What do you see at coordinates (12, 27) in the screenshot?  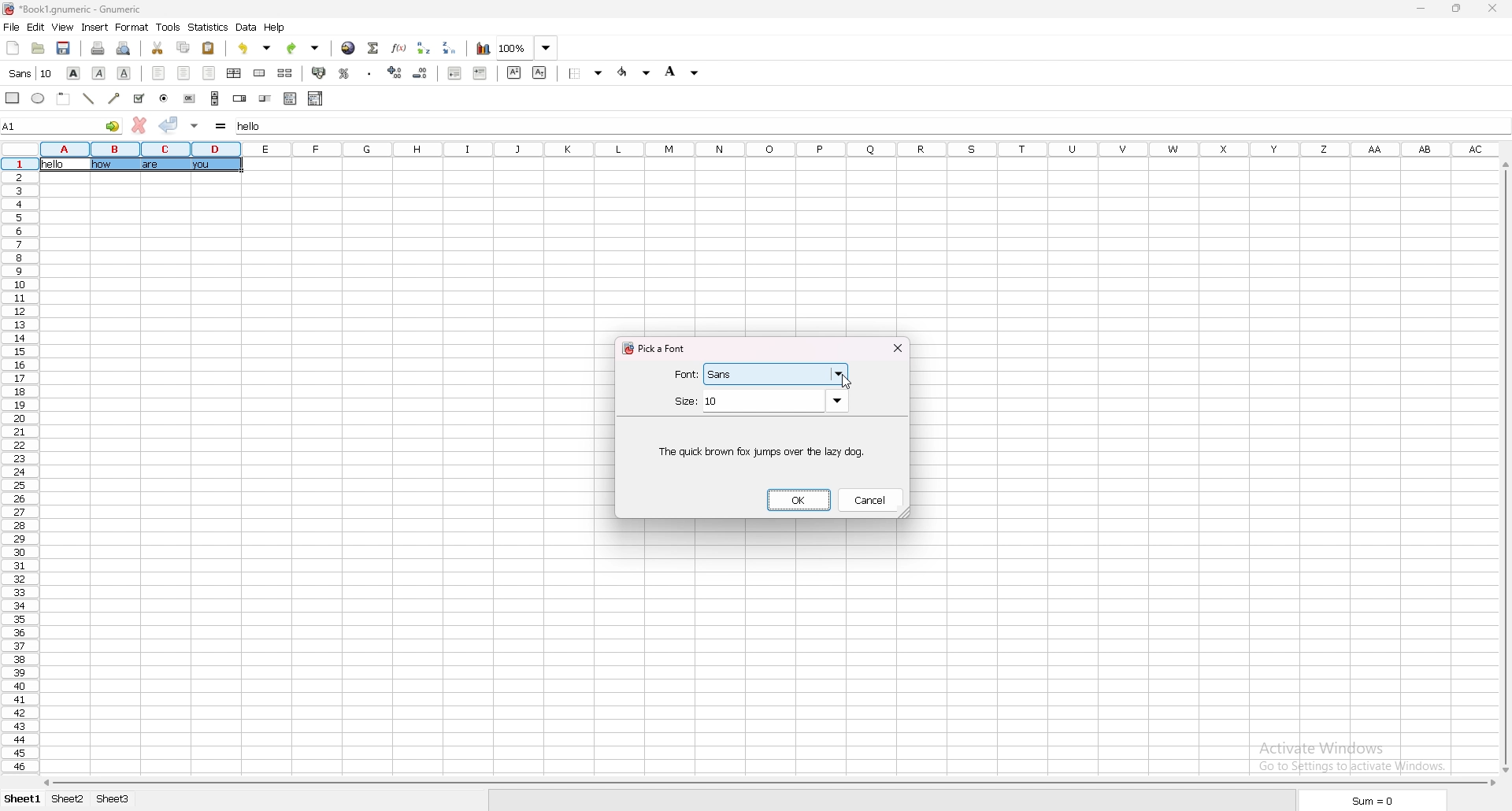 I see `file` at bounding box center [12, 27].